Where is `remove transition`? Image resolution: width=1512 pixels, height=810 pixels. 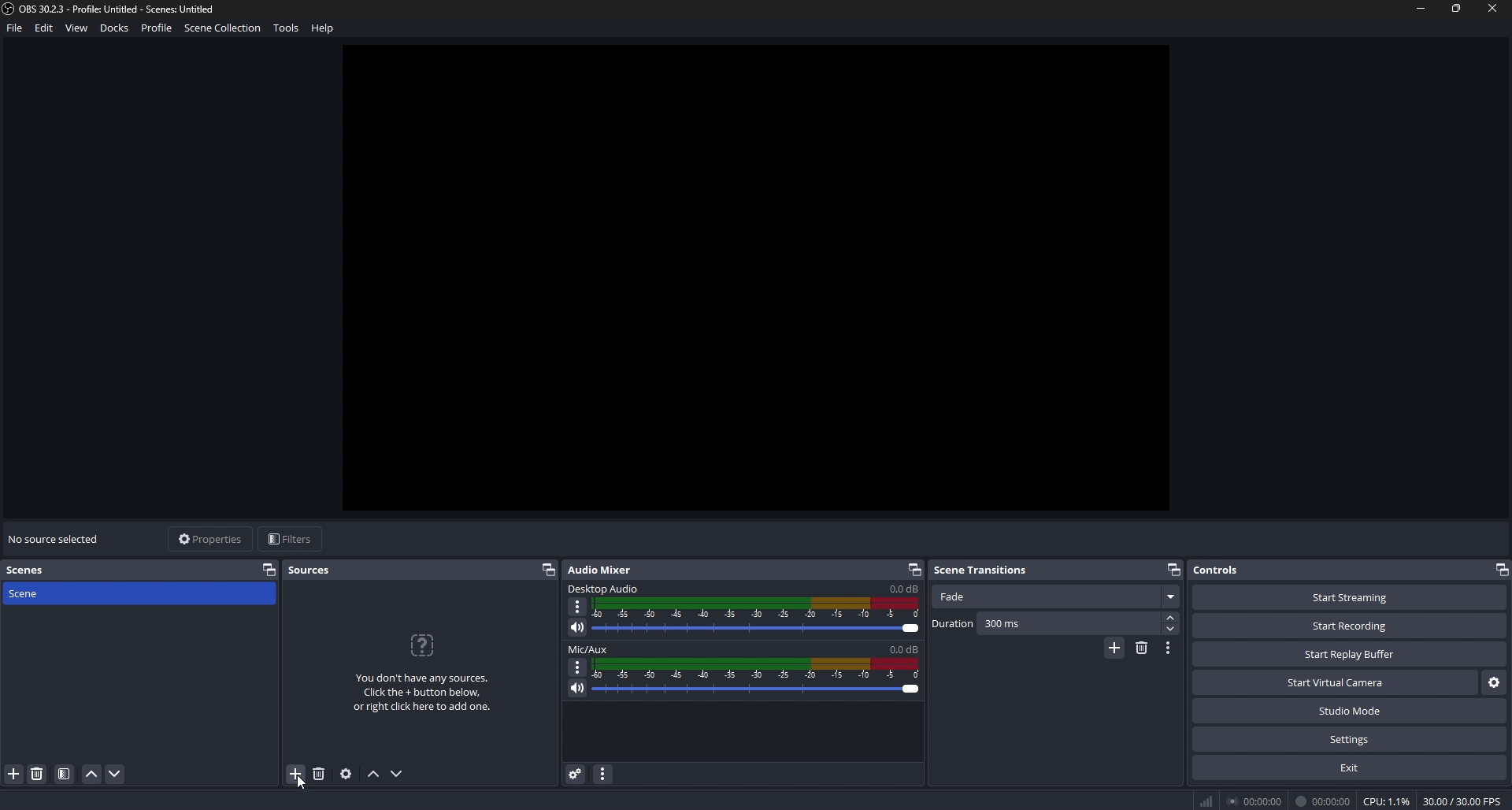 remove transition is located at coordinates (1142, 647).